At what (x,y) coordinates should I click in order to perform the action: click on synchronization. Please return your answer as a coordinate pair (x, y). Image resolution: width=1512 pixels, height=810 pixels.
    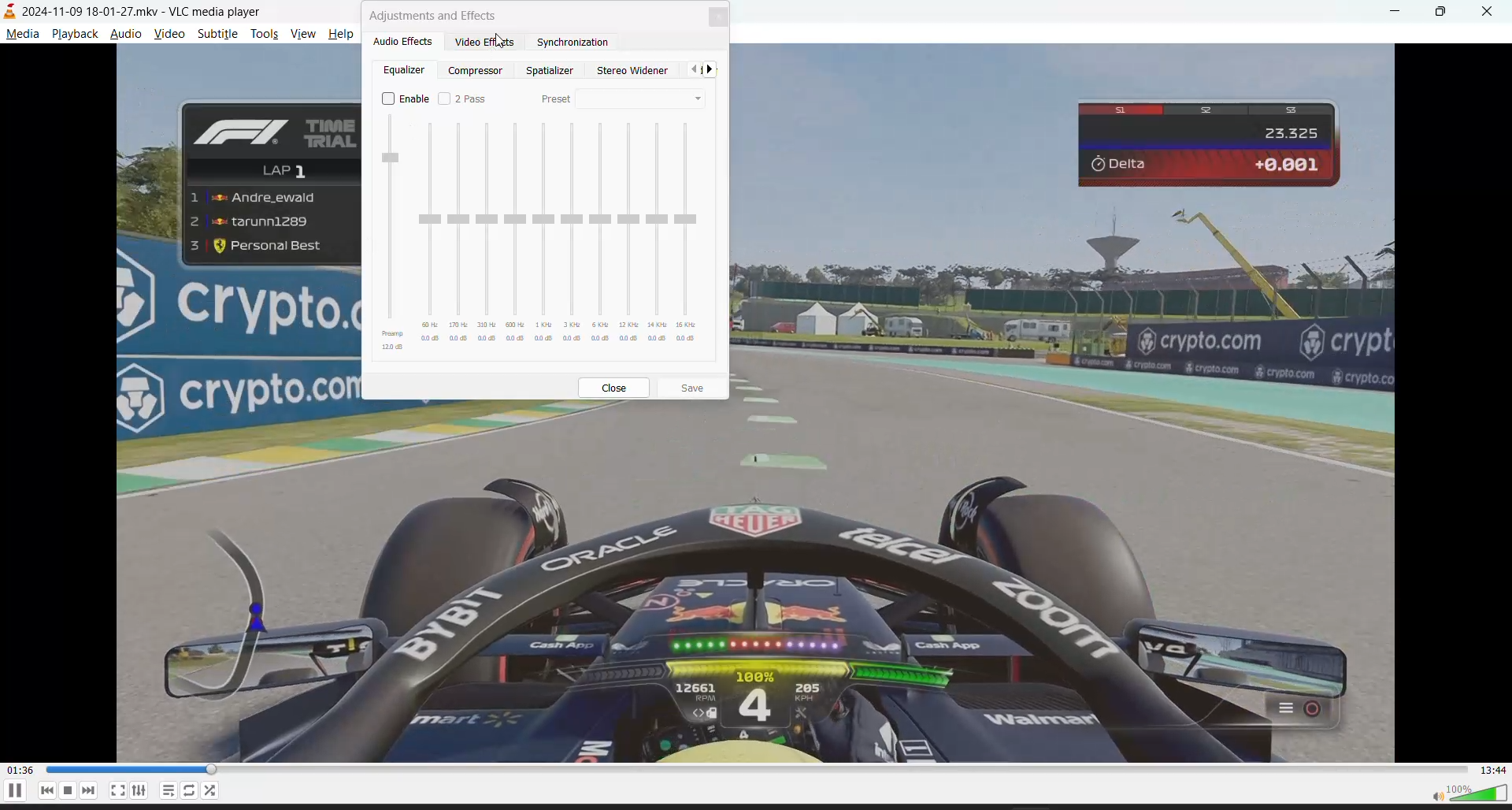
    Looking at the image, I should click on (574, 43).